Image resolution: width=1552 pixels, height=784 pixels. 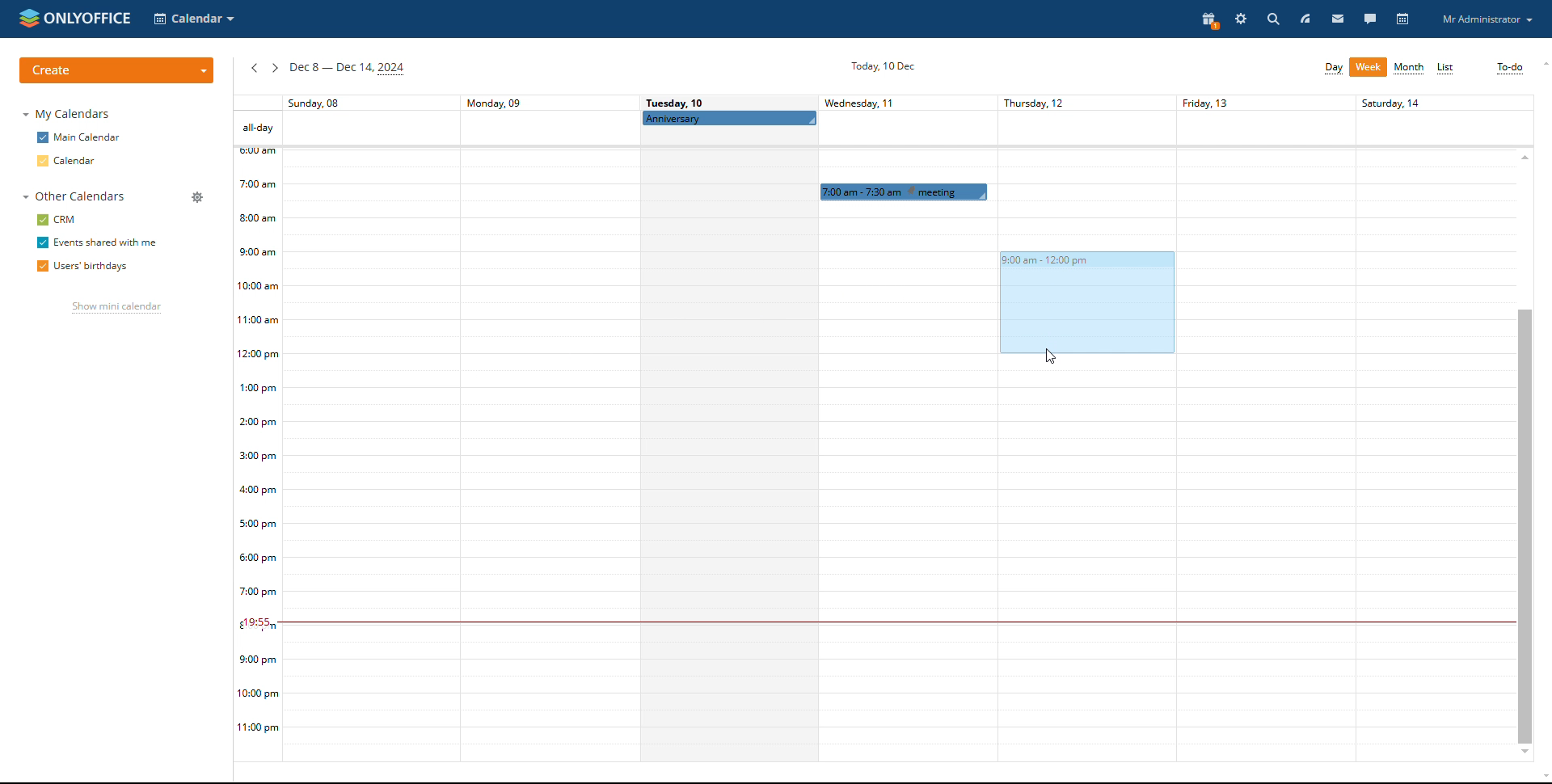 I want to click on search, so click(x=1272, y=19).